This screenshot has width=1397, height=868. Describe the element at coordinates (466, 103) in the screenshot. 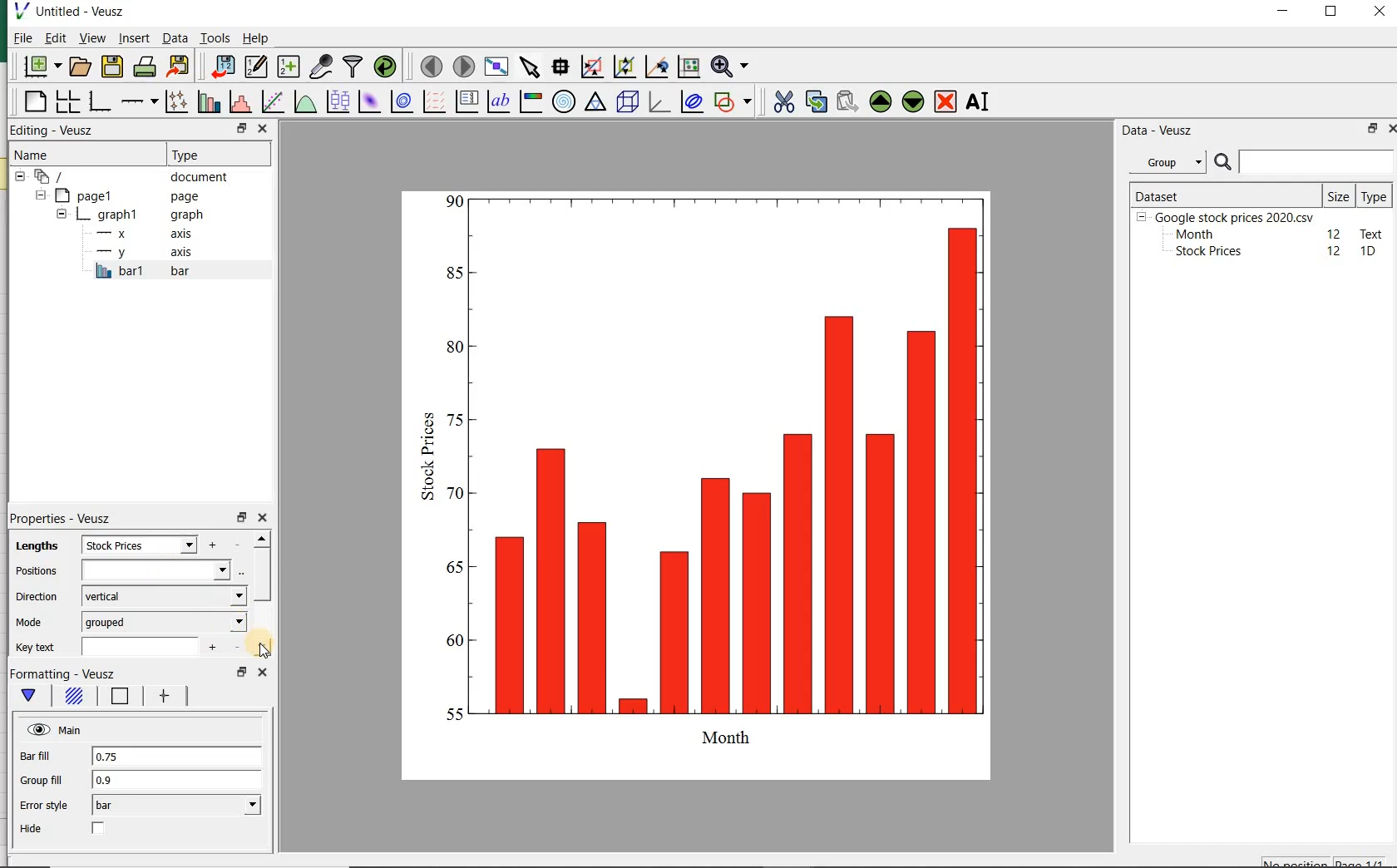

I see `plot key` at that location.